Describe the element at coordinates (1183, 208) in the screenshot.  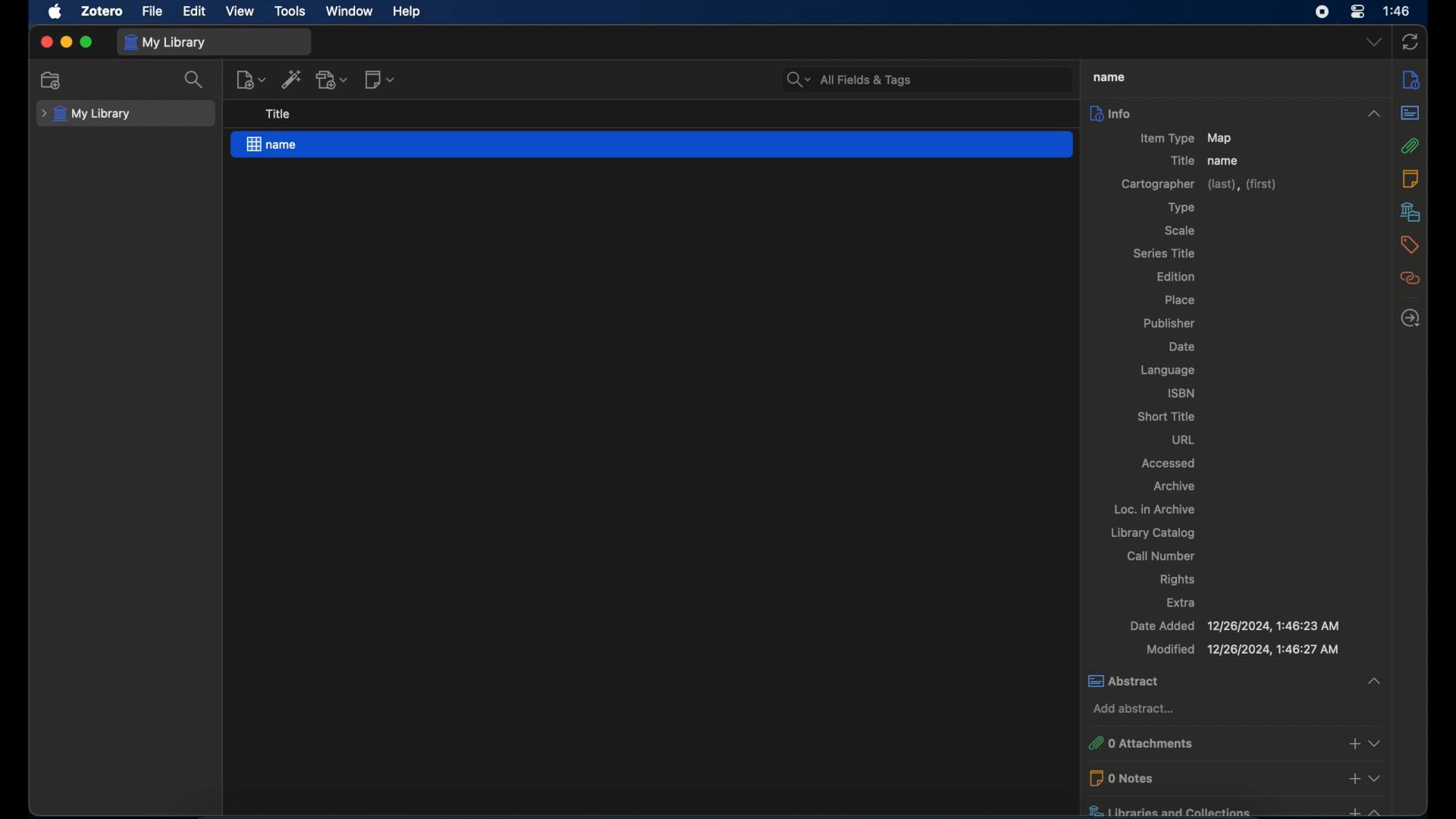
I see `type` at that location.